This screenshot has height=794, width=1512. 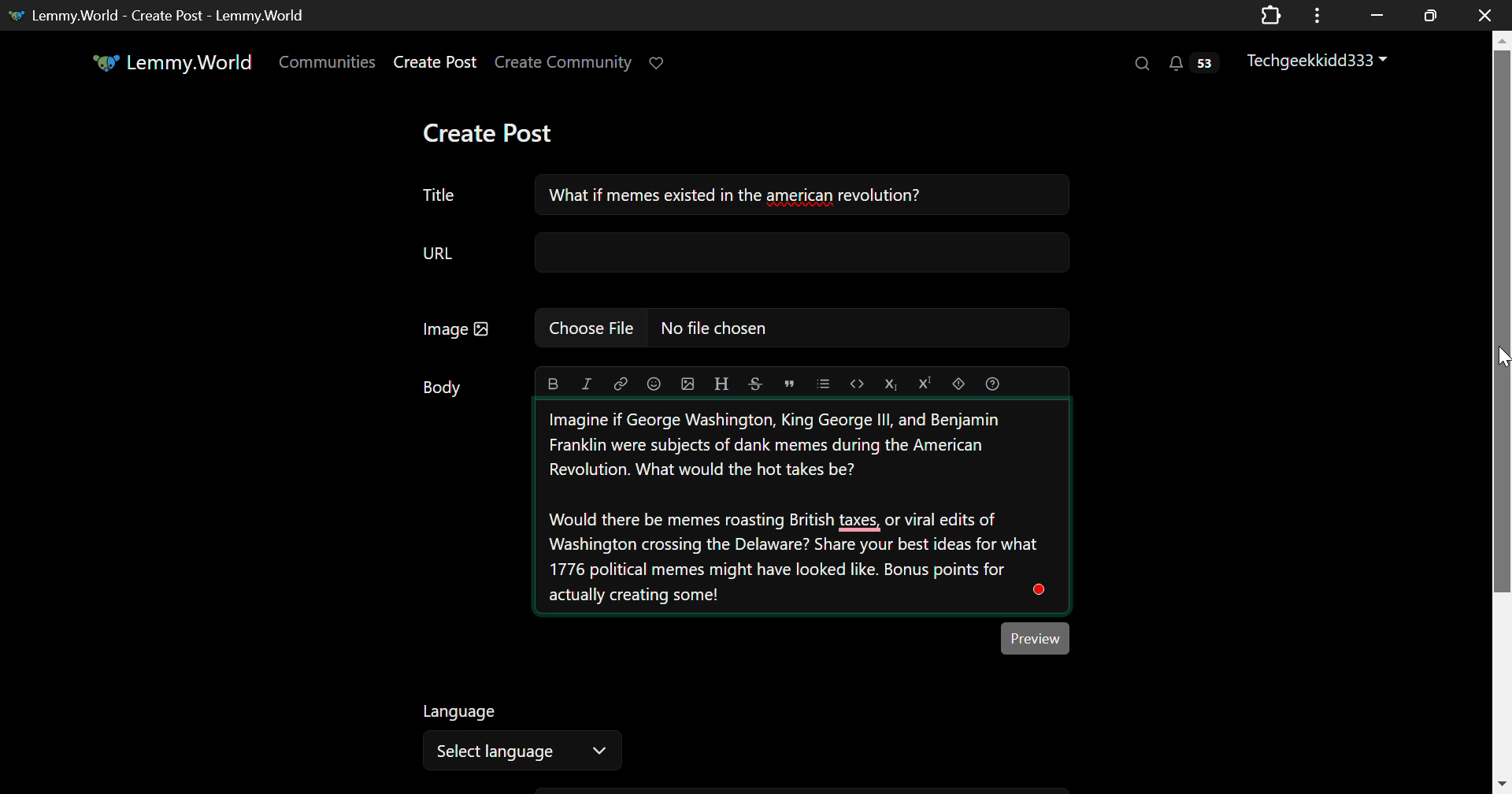 I want to click on Italic, so click(x=586, y=382).